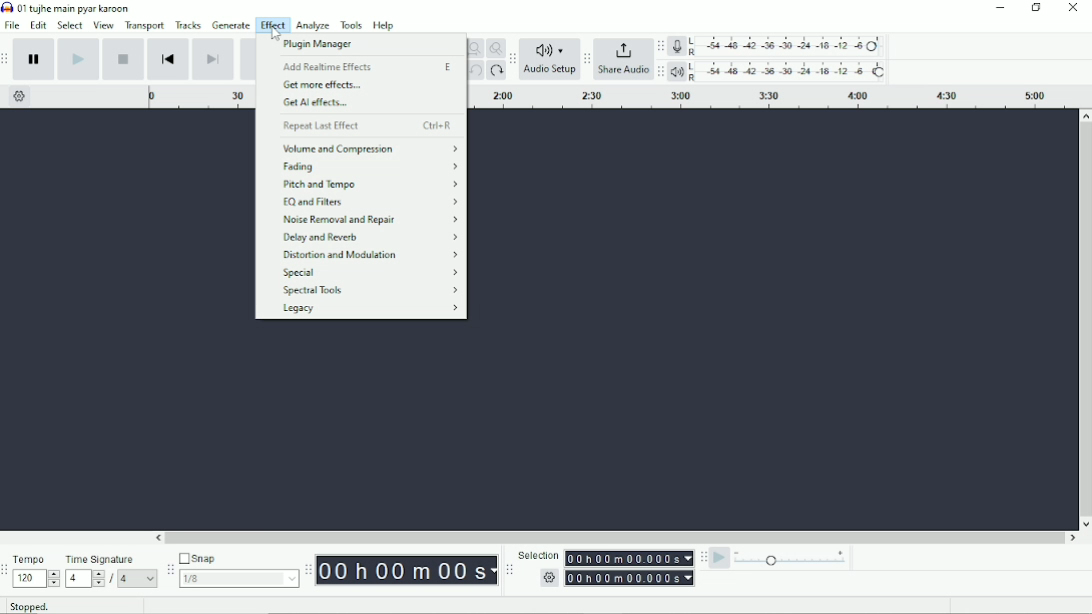 The height and width of the screenshot is (614, 1092). I want to click on Audacity transport toolbar, so click(7, 62).